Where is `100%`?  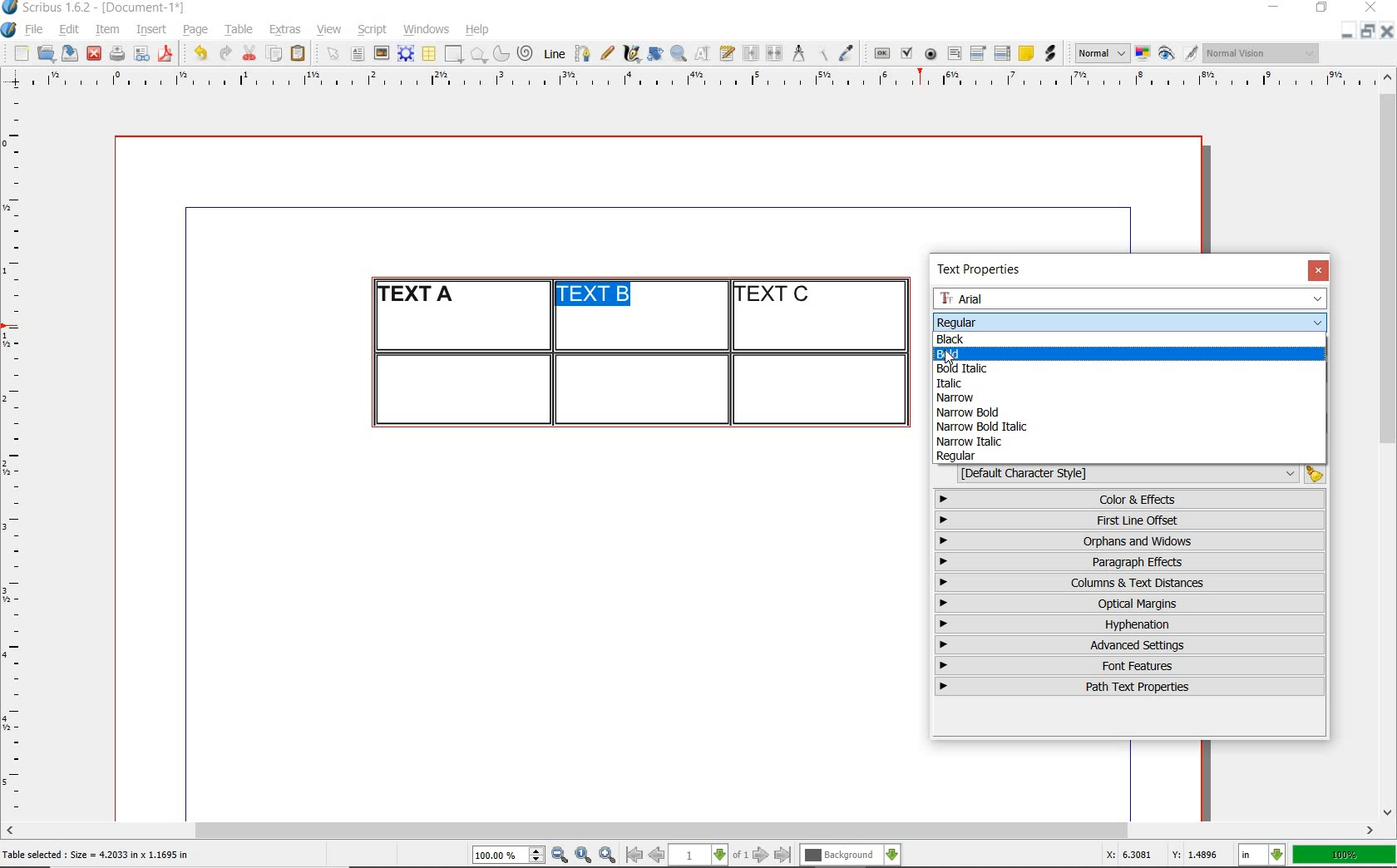
100% is located at coordinates (1345, 855).